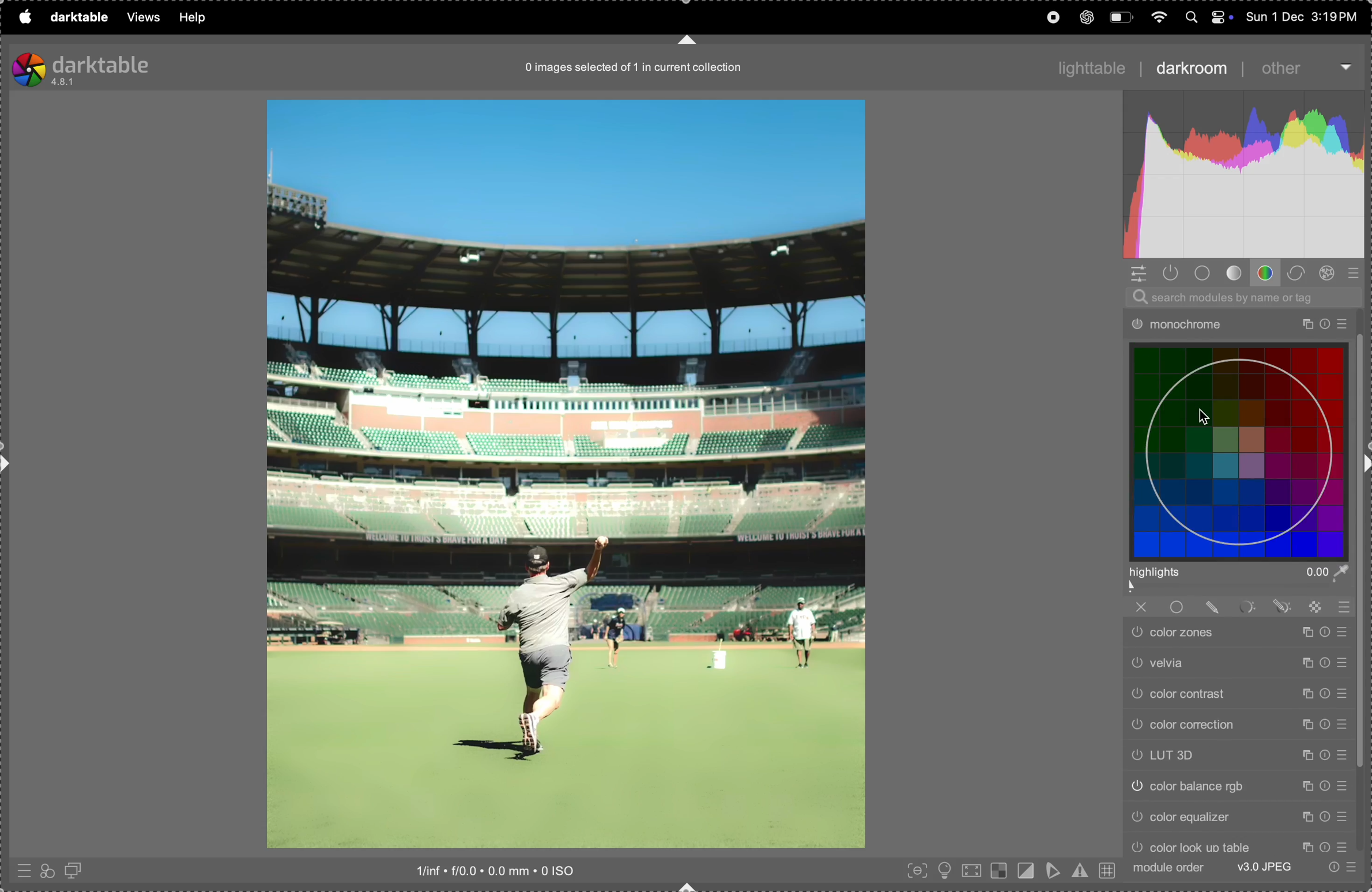 This screenshot has width=1372, height=892. What do you see at coordinates (999, 871) in the screenshot?
I see `toggle indication raw exposure` at bounding box center [999, 871].